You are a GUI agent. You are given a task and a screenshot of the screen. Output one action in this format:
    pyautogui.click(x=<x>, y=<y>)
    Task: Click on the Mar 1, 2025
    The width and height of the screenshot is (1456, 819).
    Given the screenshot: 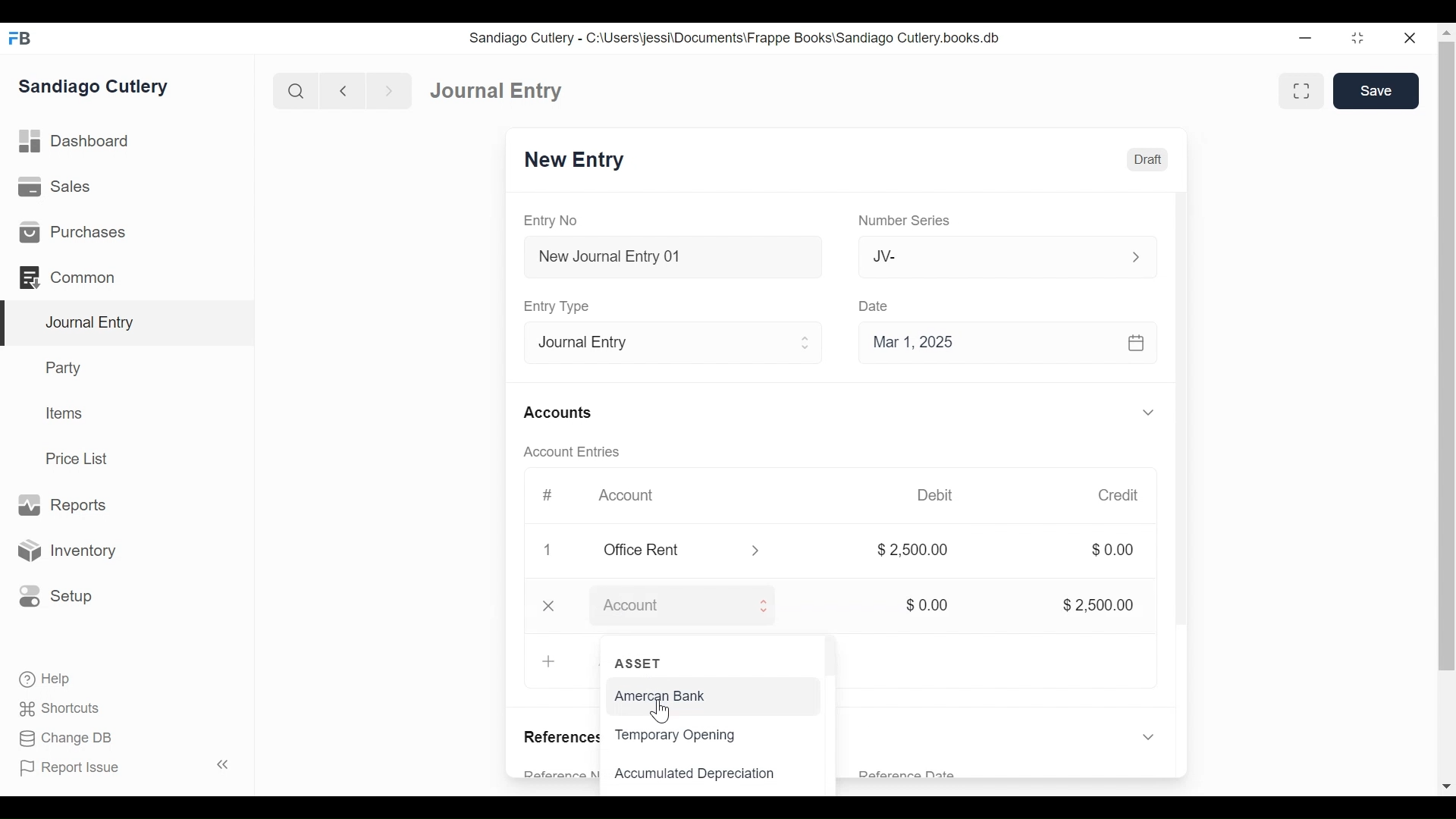 What is the action you would take?
    pyautogui.click(x=1018, y=341)
    